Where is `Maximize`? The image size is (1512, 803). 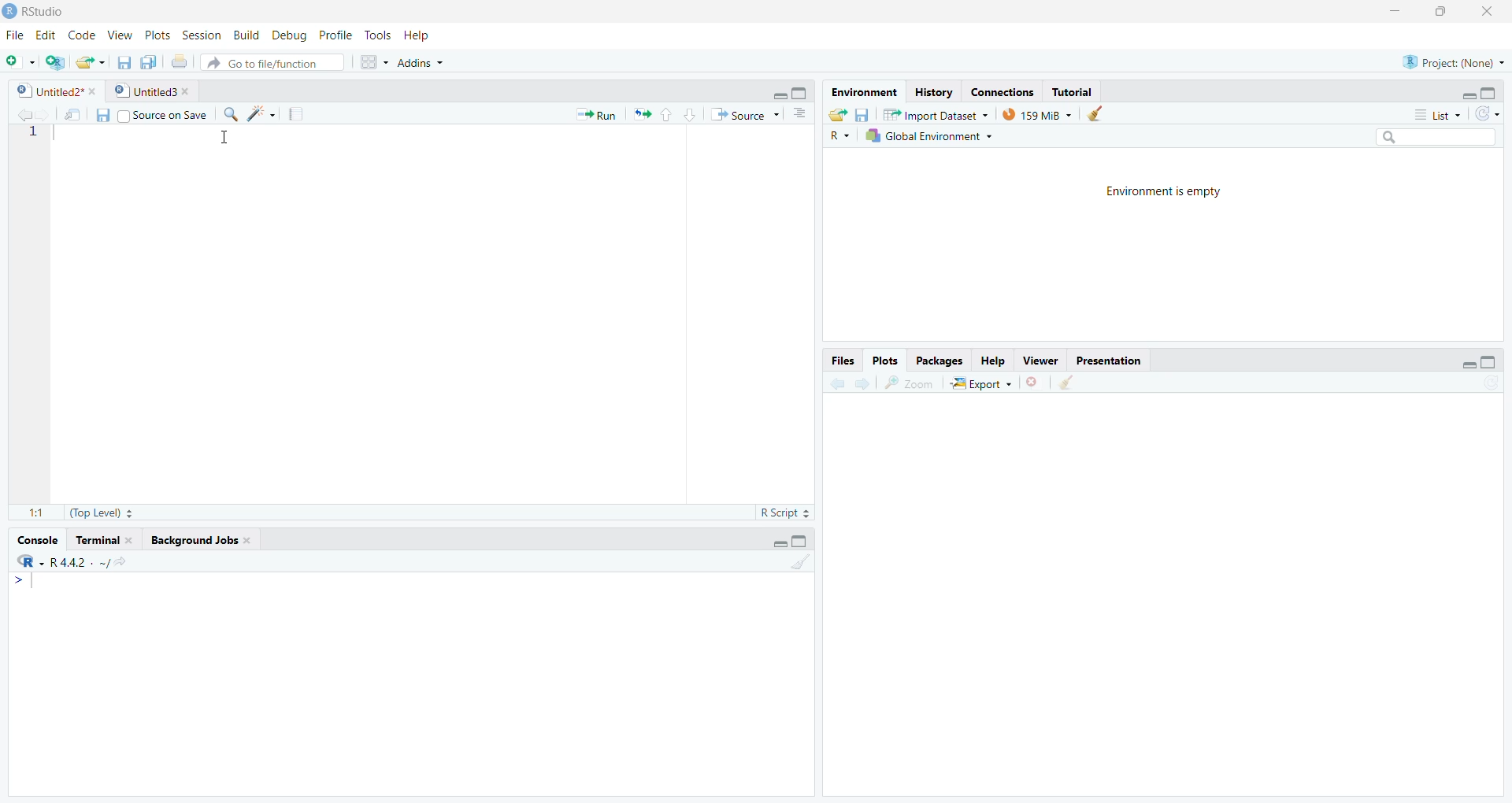 Maximize is located at coordinates (802, 541).